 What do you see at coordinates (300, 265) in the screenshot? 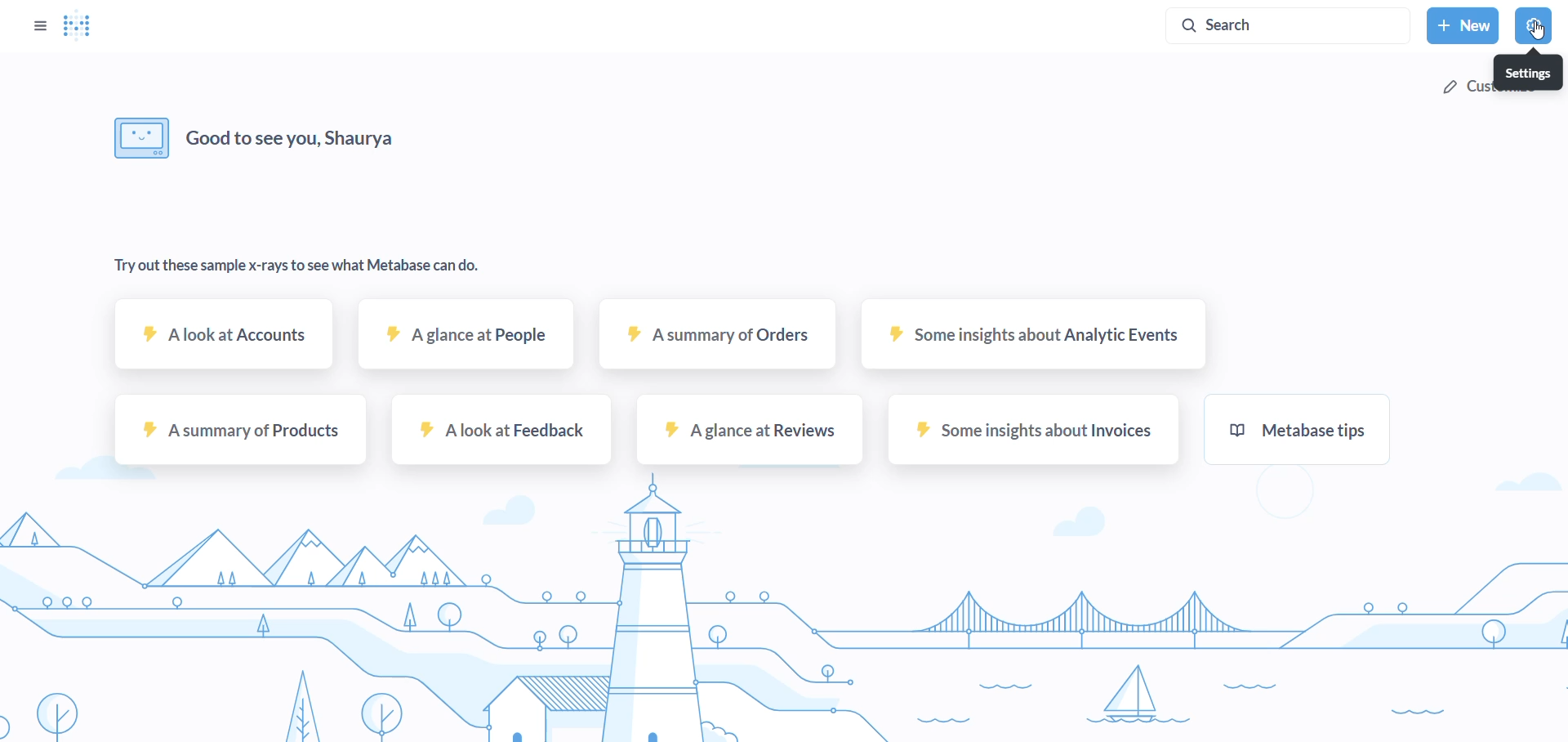
I see `Try out these sample x-rays to see what Metabase can do.` at bounding box center [300, 265].